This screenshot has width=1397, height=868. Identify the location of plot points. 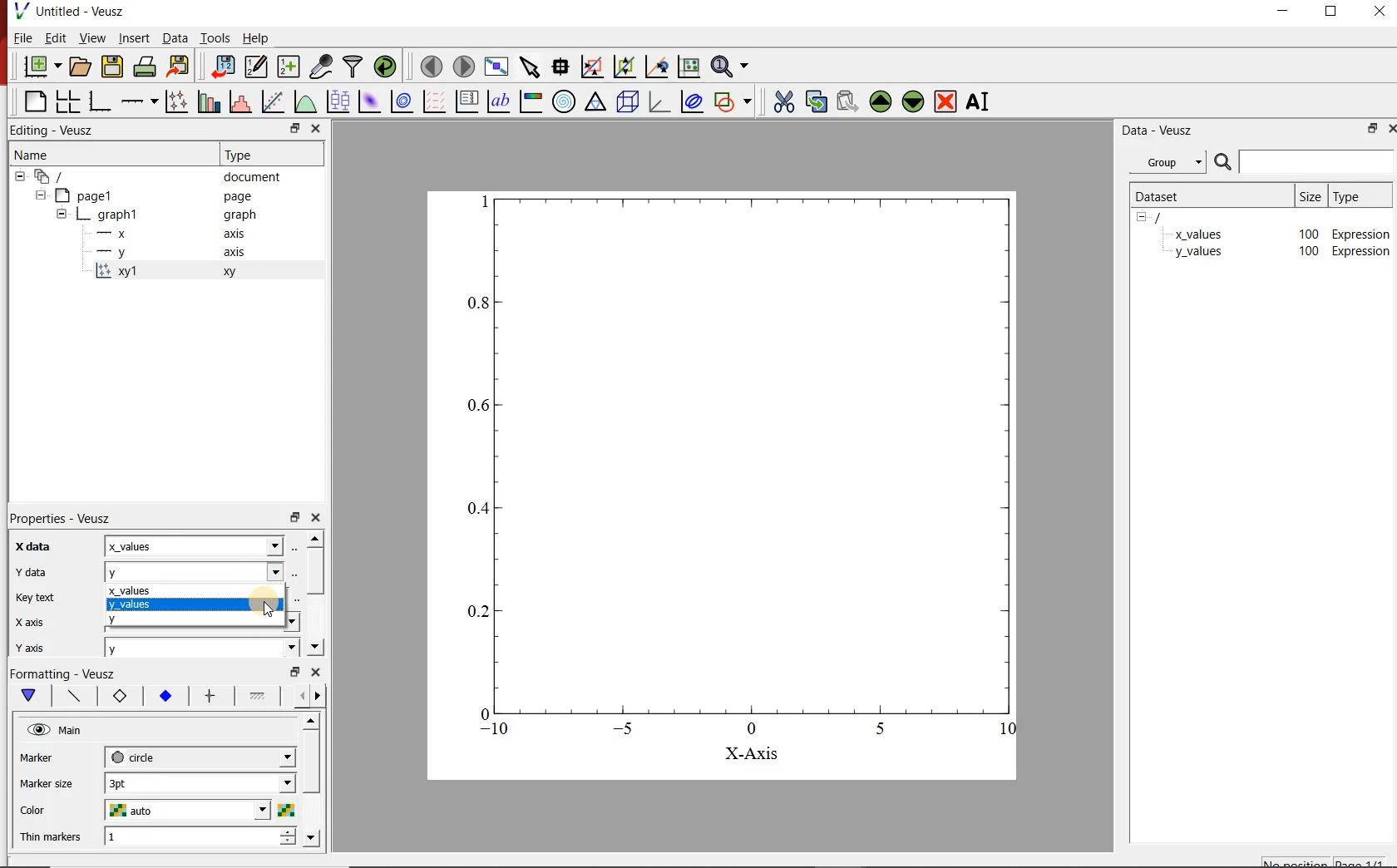
(175, 102).